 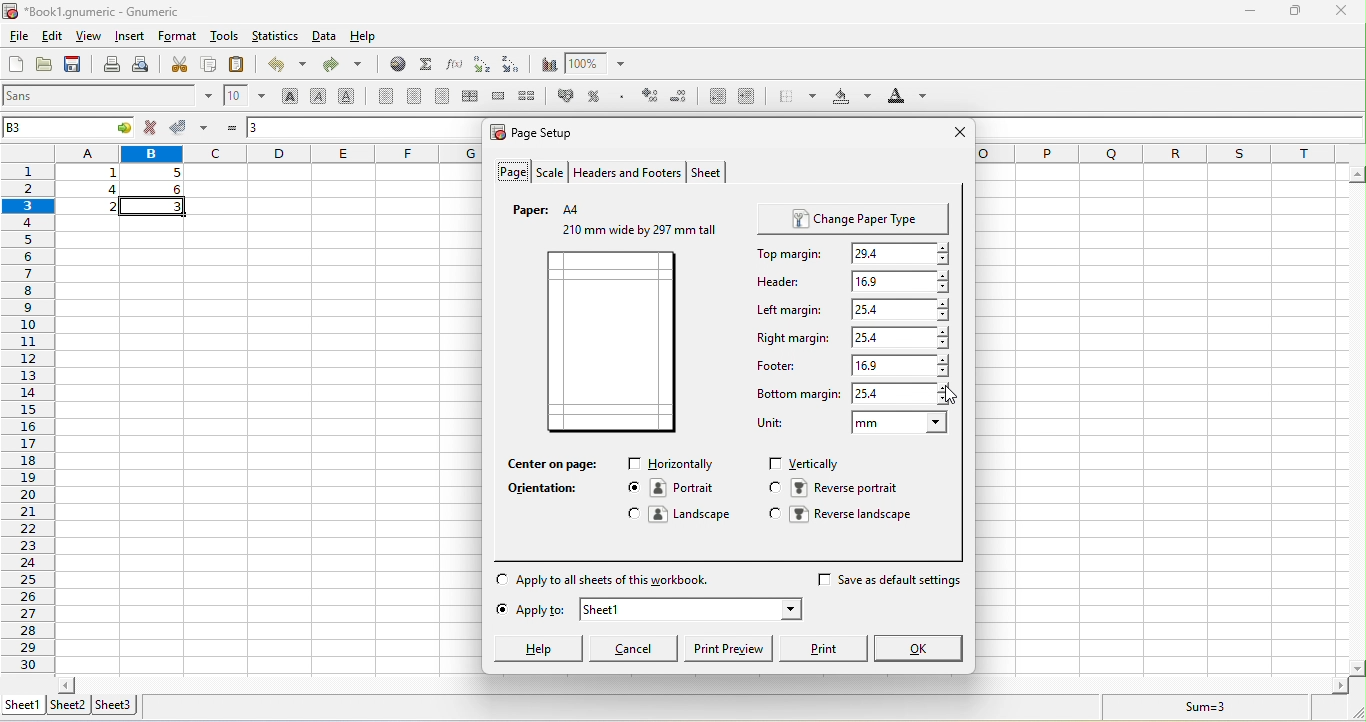 I want to click on merge a range of cells, so click(x=500, y=98).